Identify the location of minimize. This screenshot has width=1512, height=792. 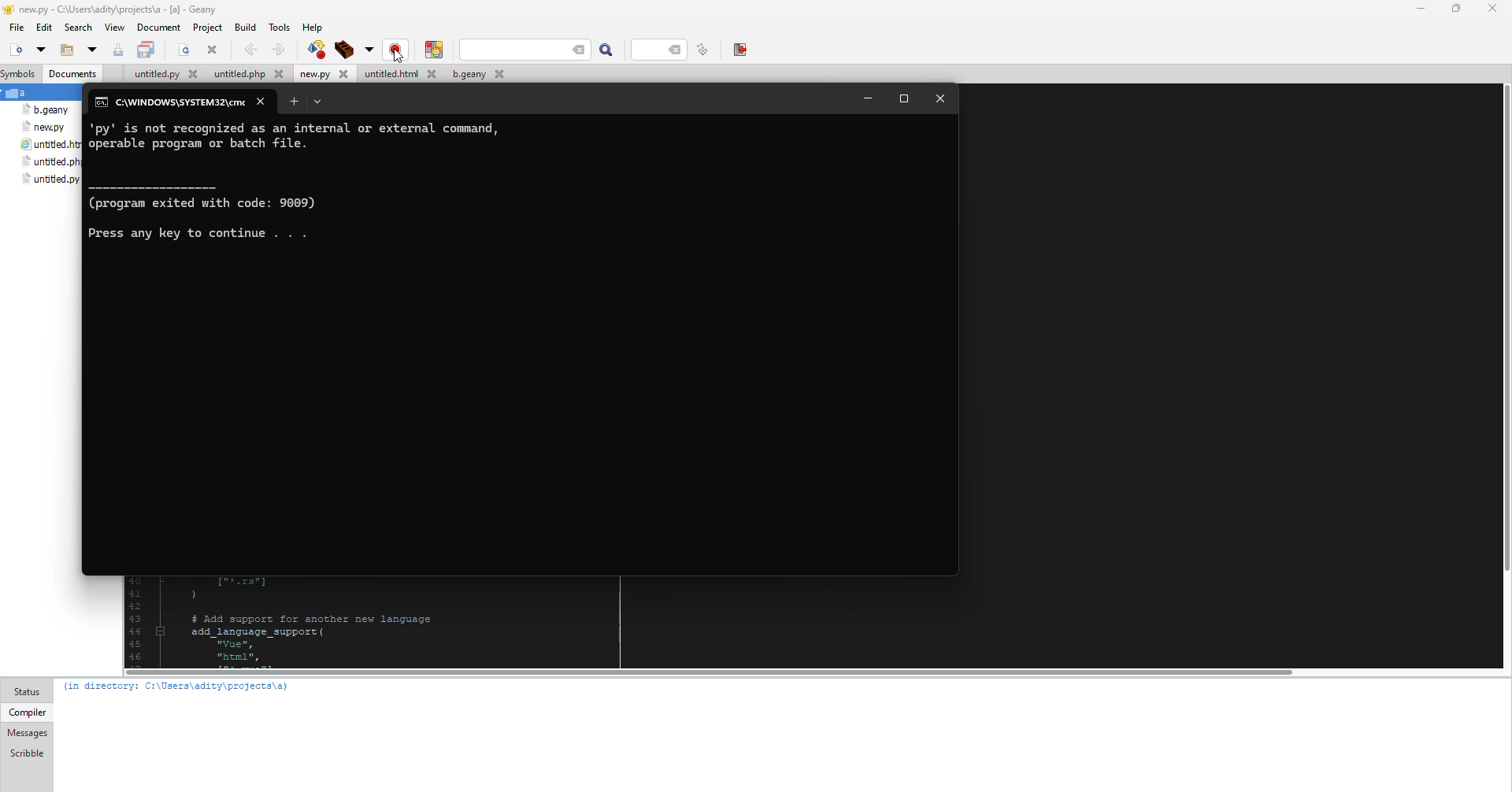
(866, 99).